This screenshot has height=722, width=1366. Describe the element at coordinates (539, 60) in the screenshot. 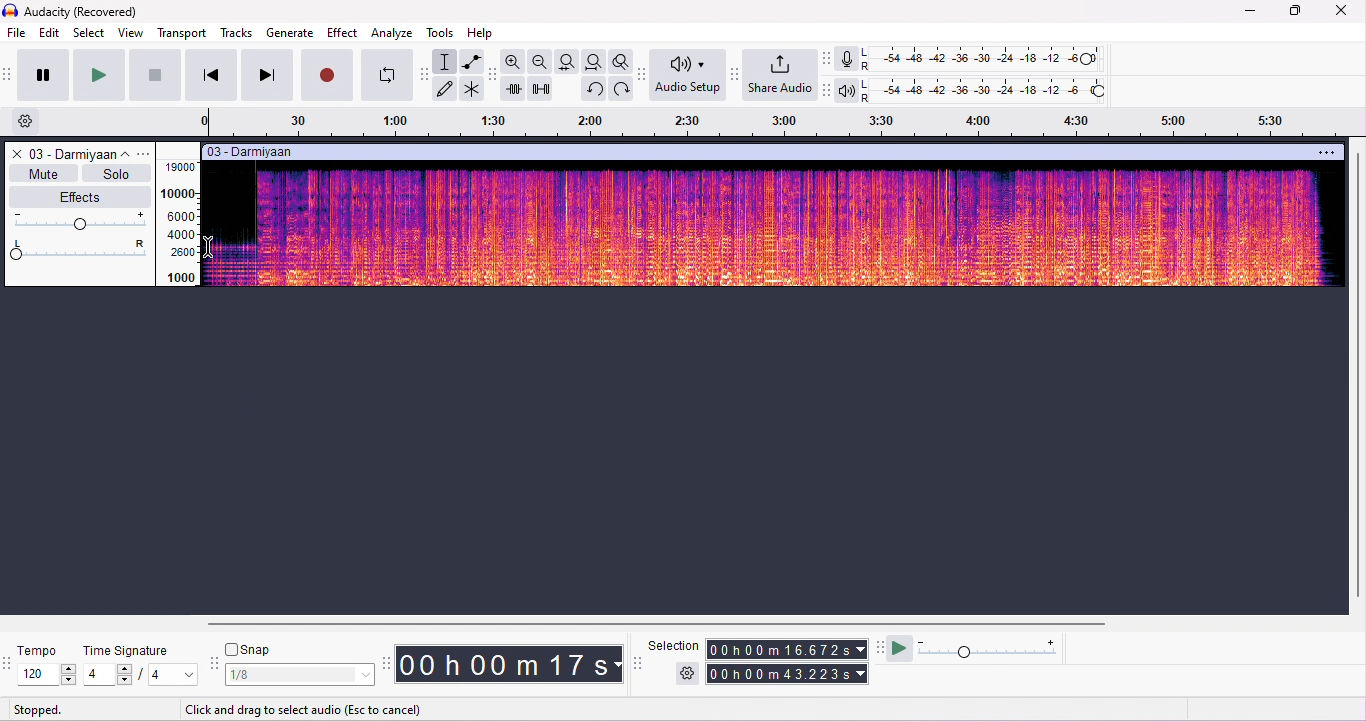

I see `zoom out` at that location.